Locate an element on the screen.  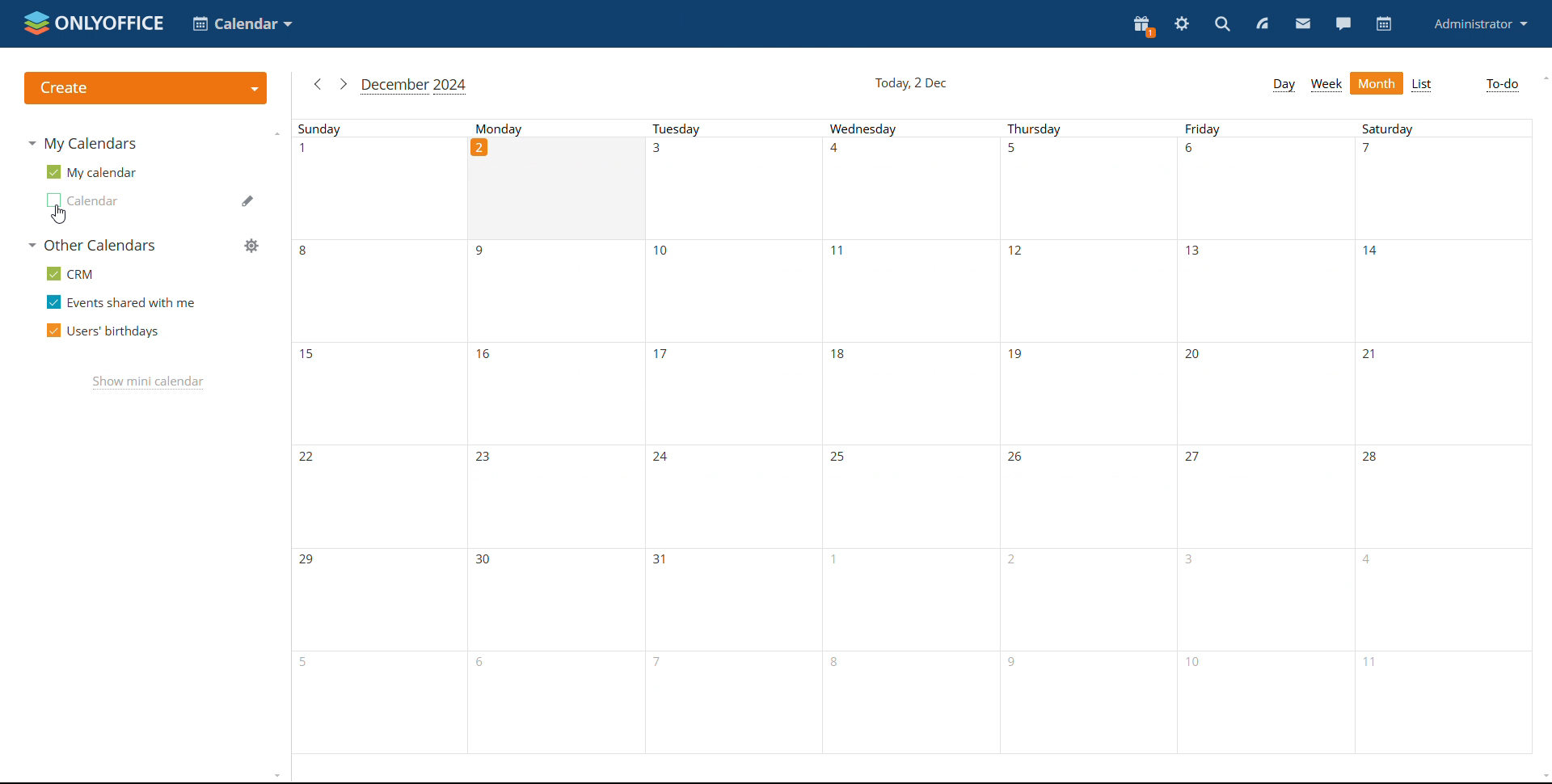
8 is located at coordinates (1088, 704).